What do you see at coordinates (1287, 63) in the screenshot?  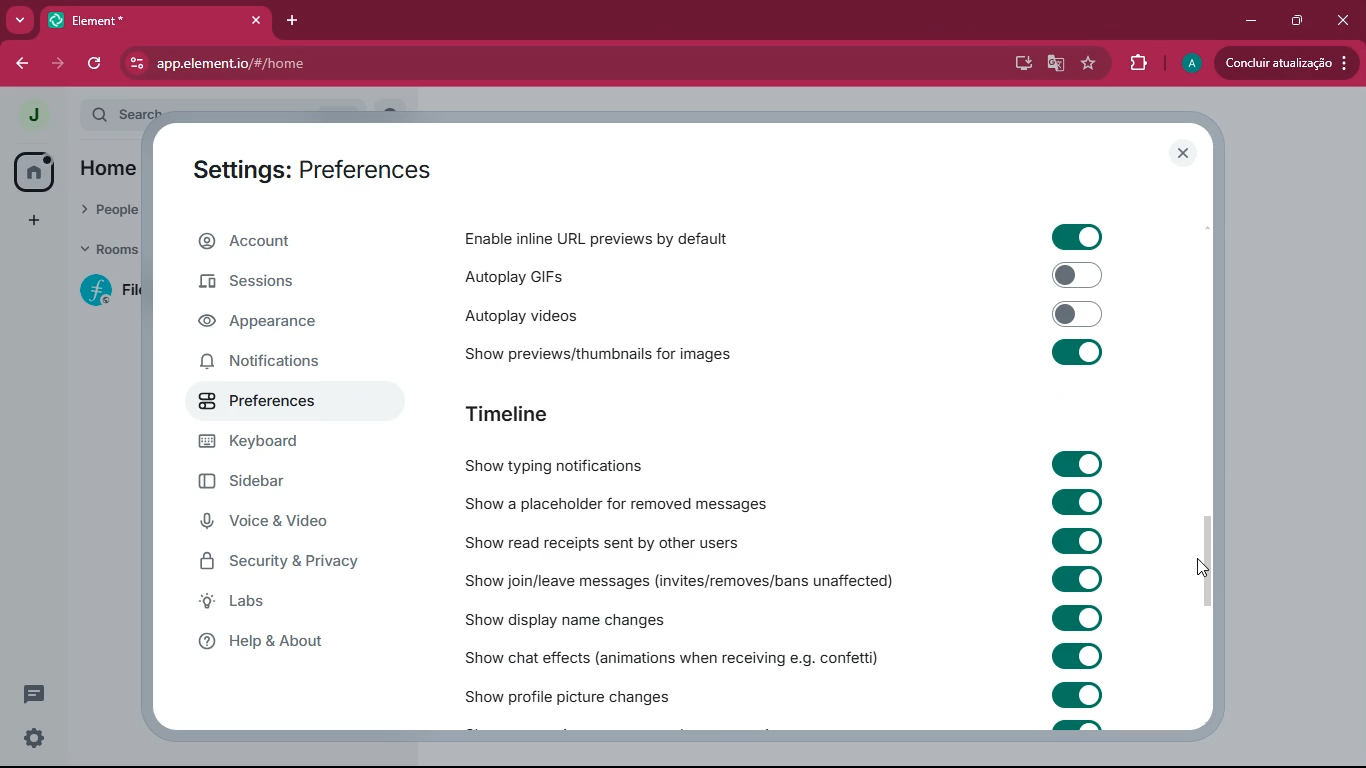 I see `update` at bounding box center [1287, 63].